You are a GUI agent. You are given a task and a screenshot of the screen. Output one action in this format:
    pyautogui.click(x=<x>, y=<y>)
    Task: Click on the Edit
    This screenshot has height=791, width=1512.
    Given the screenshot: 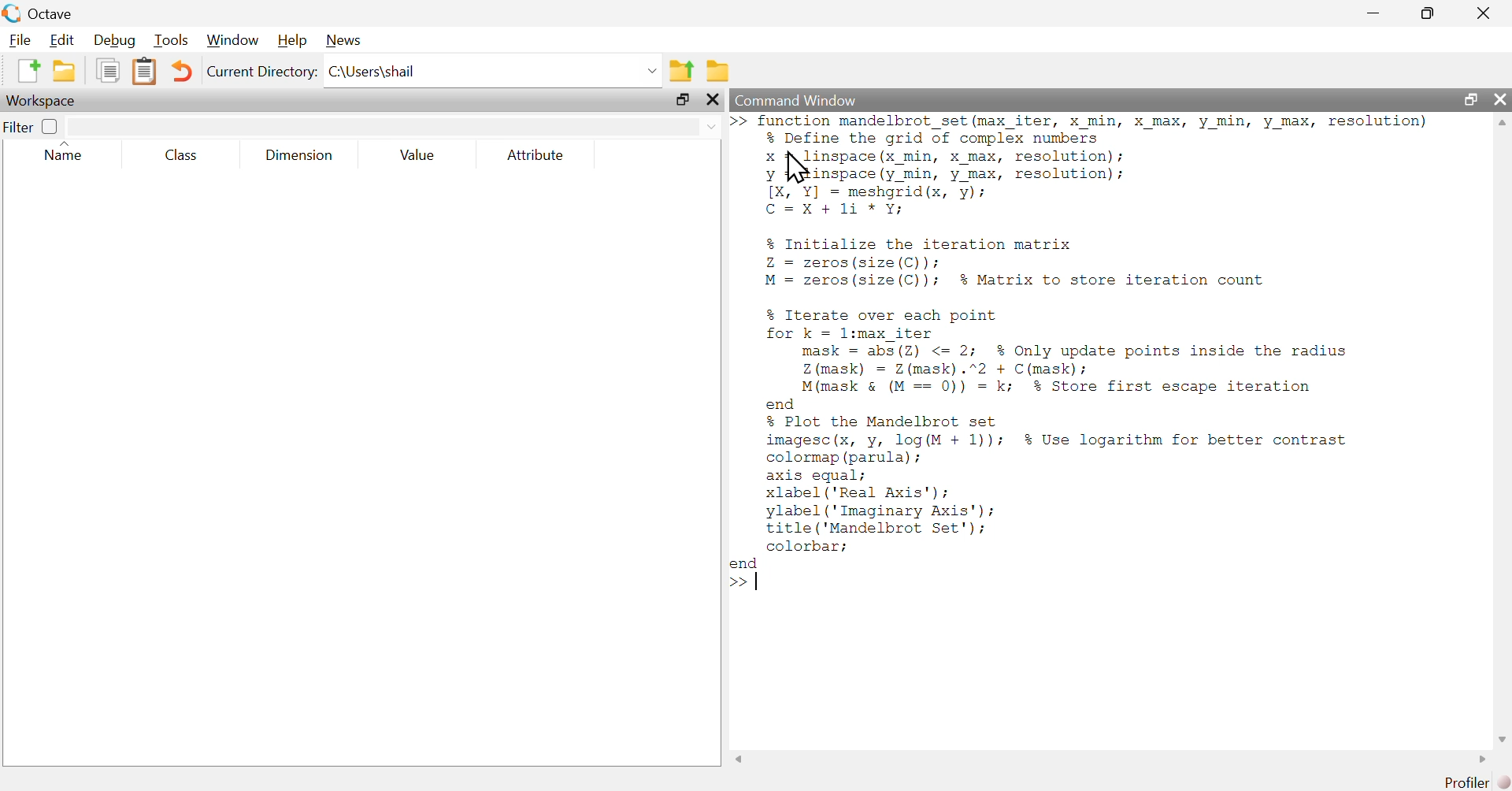 What is the action you would take?
    pyautogui.click(x=61, y=39)
    